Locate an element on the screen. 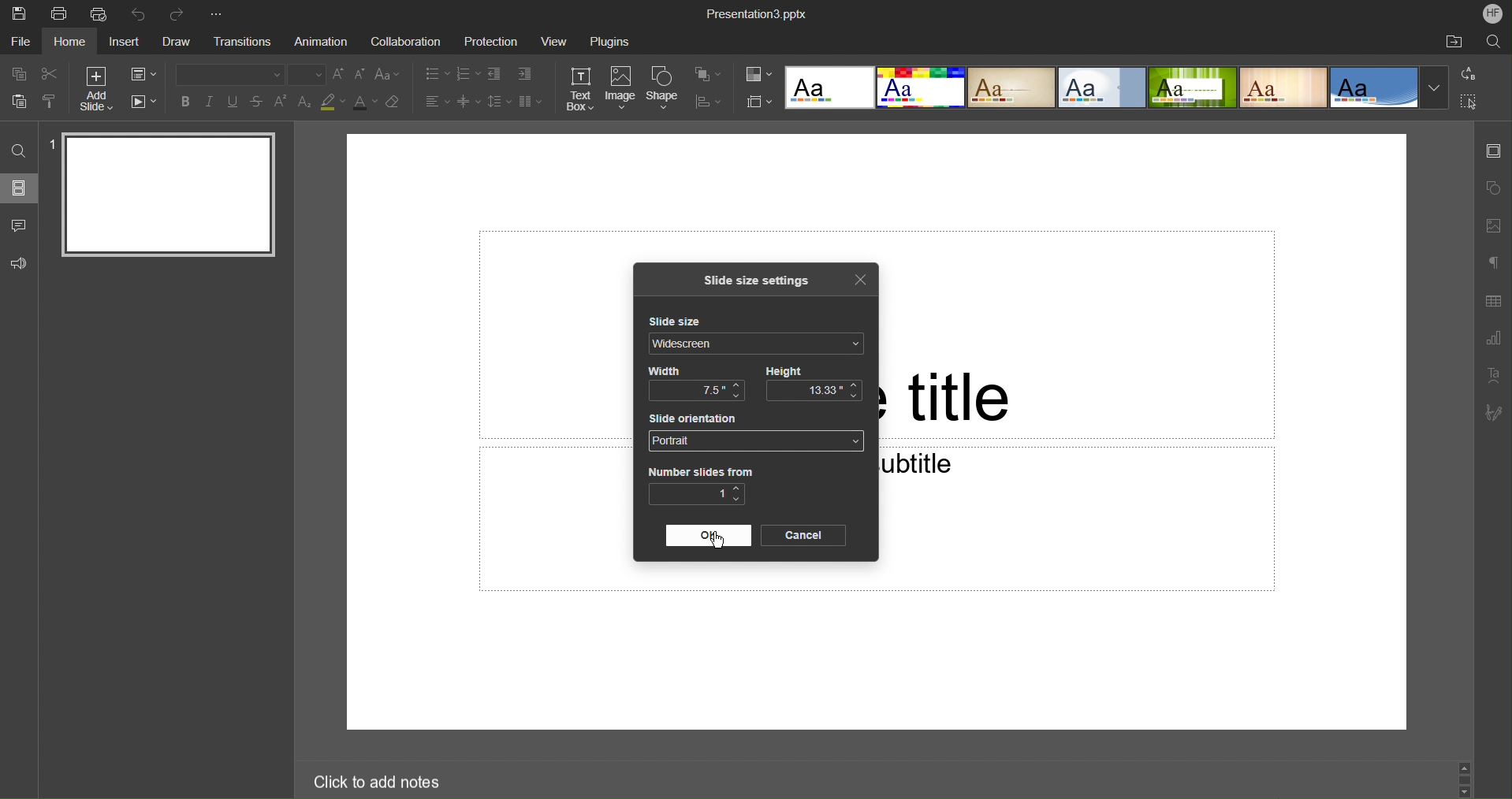 The width and height of the screenshot is (1512, 799). Cursor is located at coordinates (719, 544).